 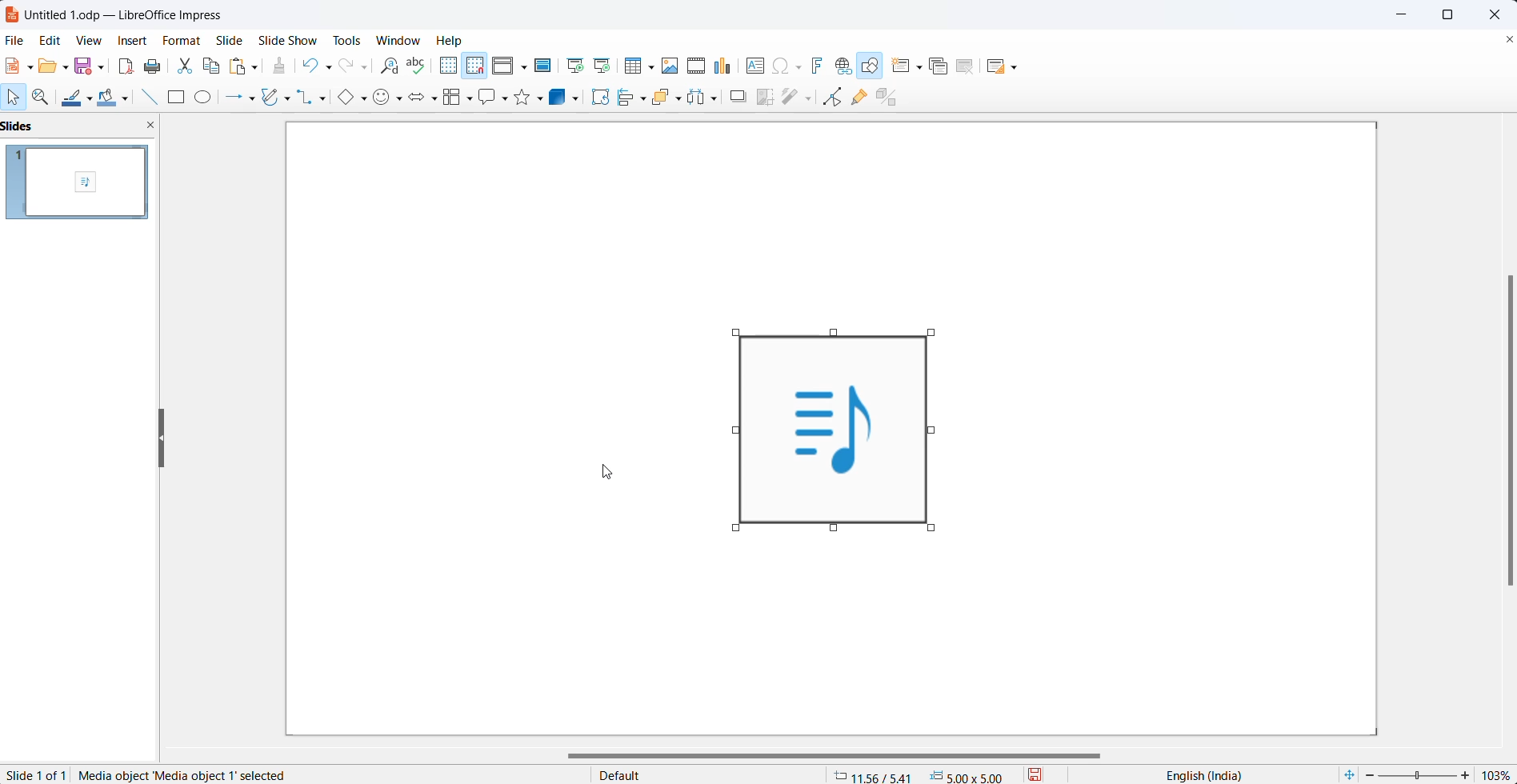 I want to click on , so click(x=542, y=98).